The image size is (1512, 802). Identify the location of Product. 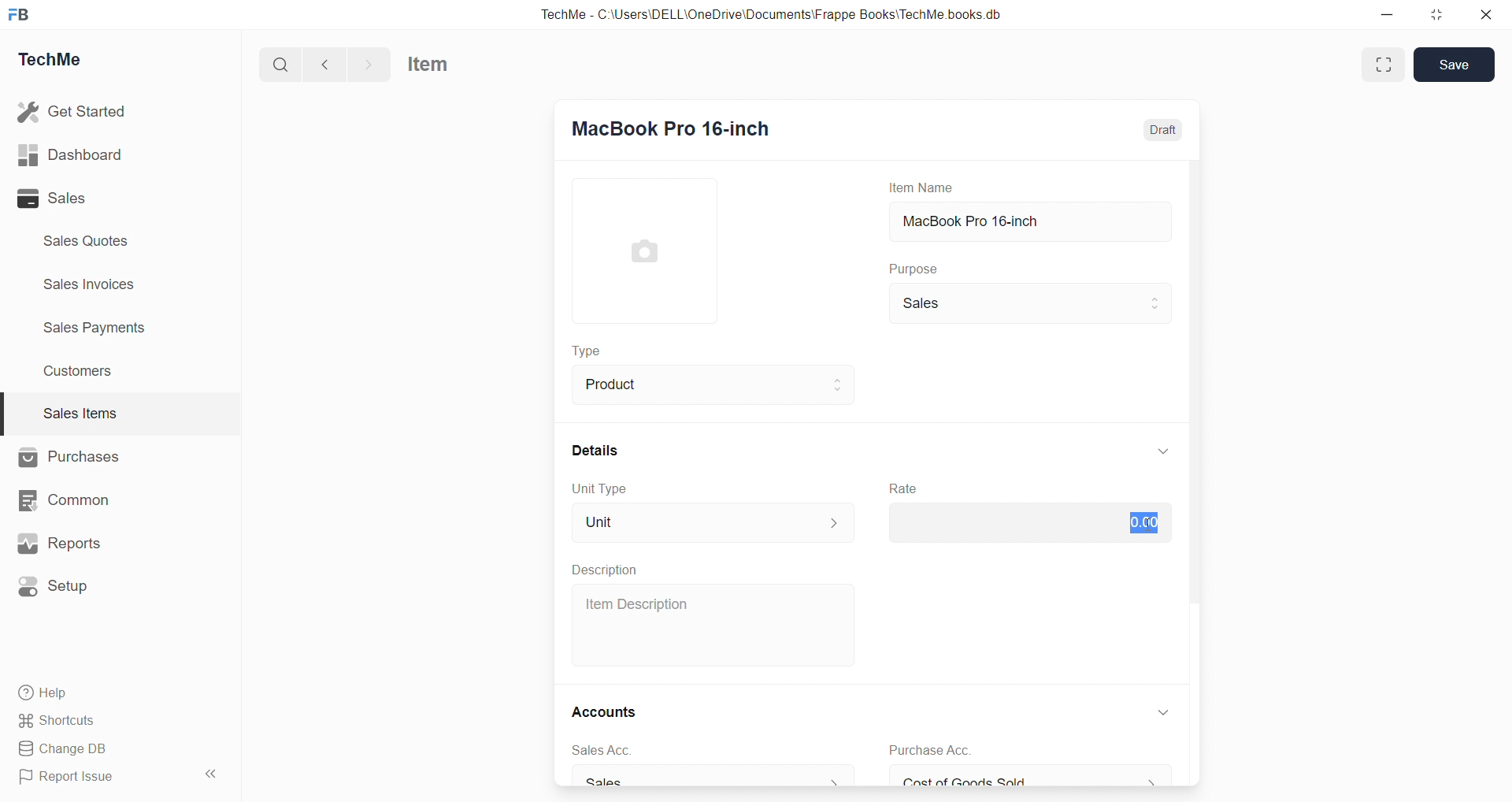
(712, 385).